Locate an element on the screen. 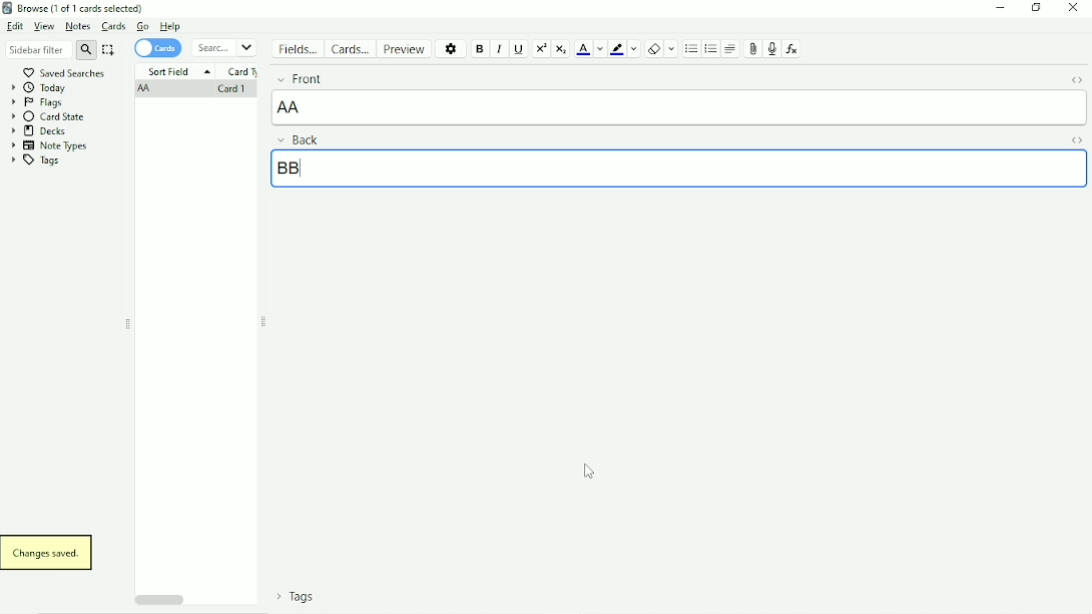  Edit is located at coordinates (15, 26).